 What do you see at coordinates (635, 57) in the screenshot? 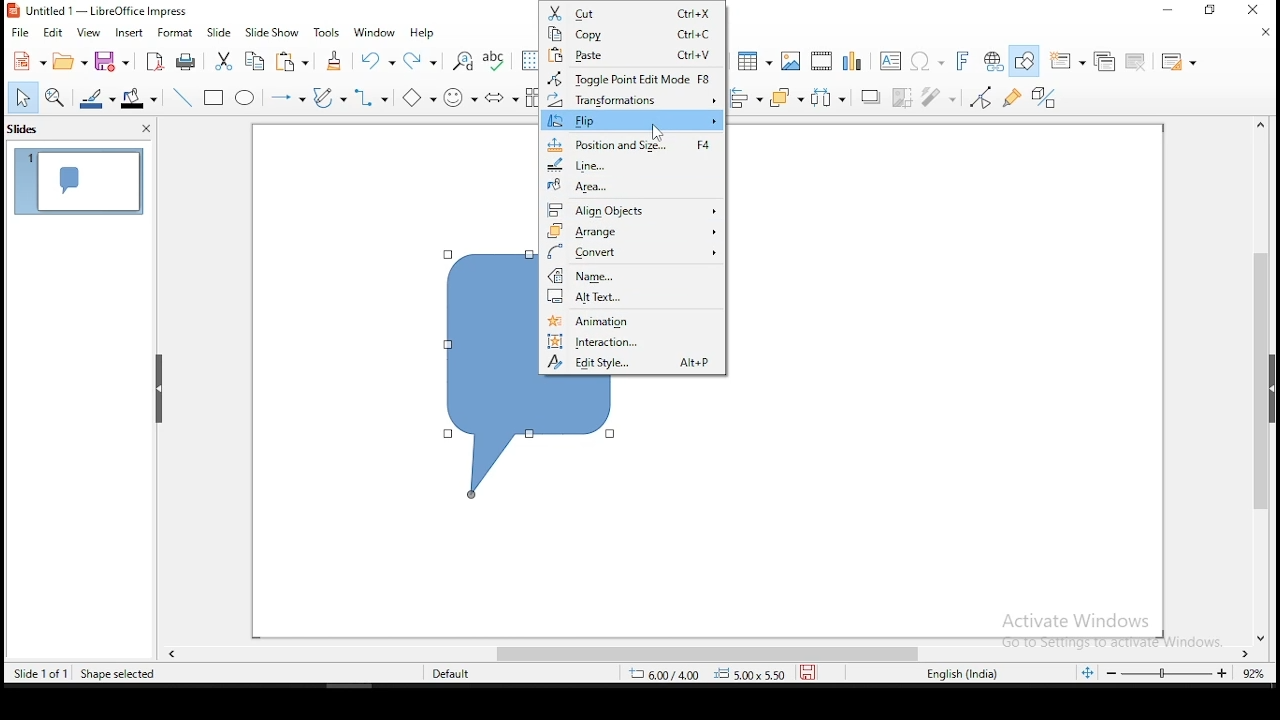
I see `paste` at bounding box center [635, 57].